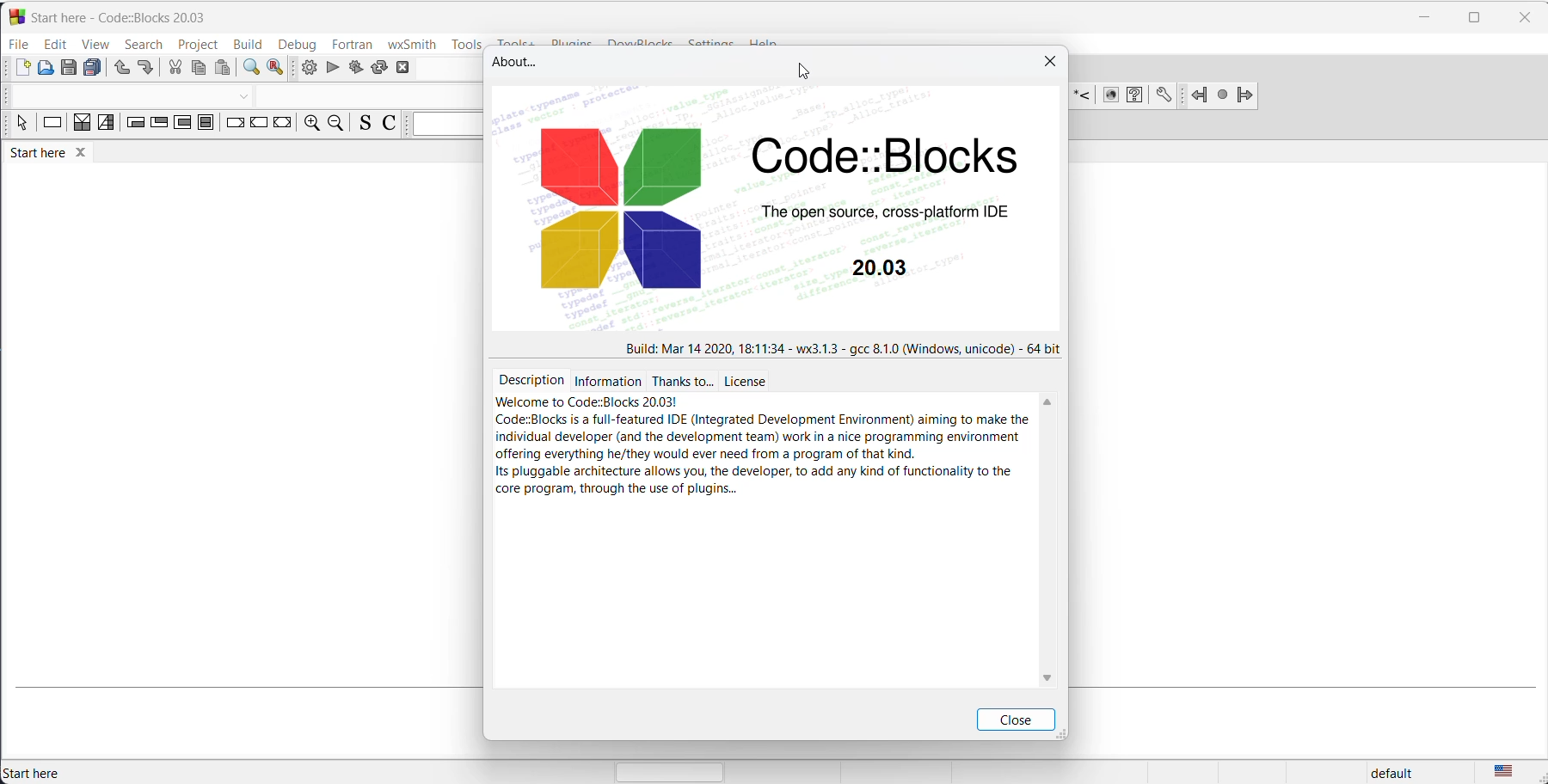  Describe the element at coordinates (351, 44) in the screenshot. I see `fortran` at that location.